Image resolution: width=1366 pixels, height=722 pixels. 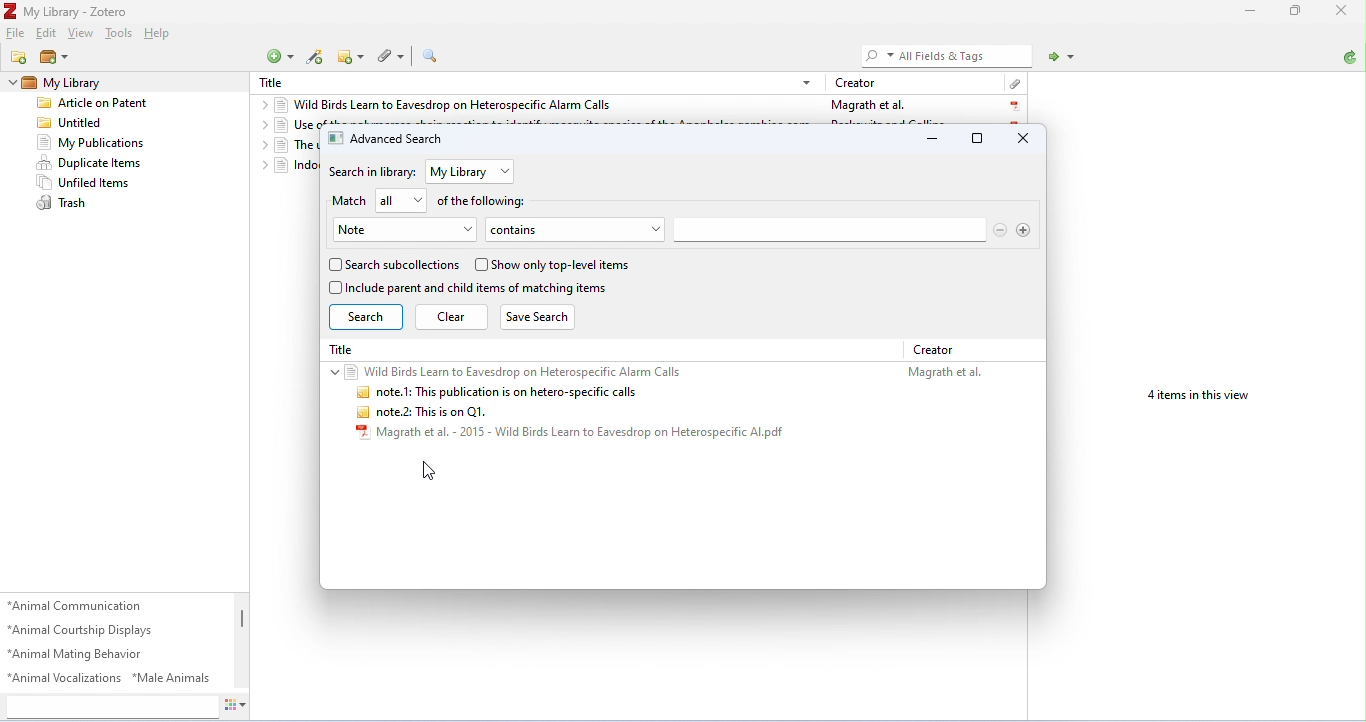 What do you see at coordinates (352, 201) in the screenshot?
I see `match` at bounding box center [352, 201].